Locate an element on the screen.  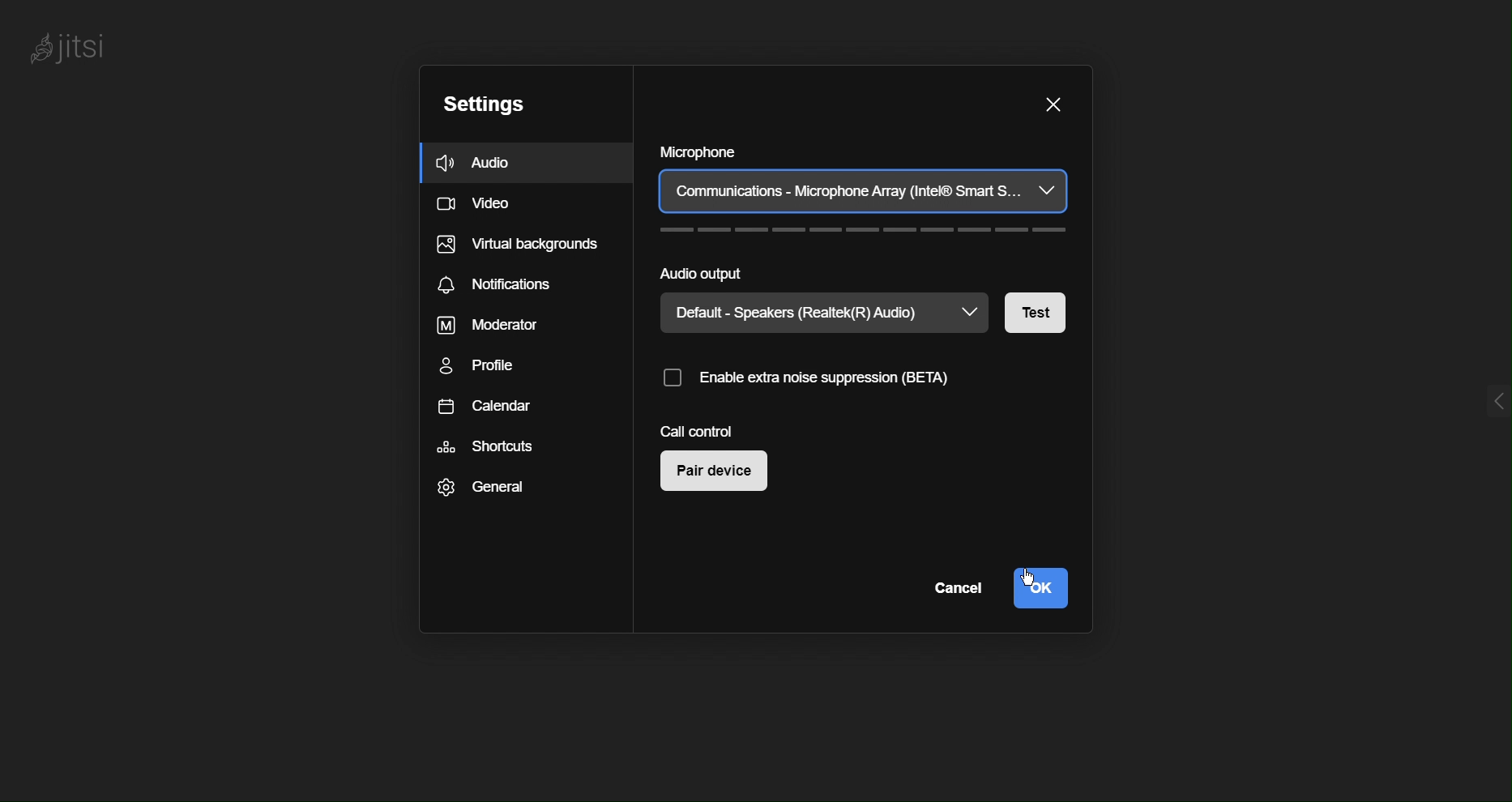
Pair device is located at coordinates (715, 473).